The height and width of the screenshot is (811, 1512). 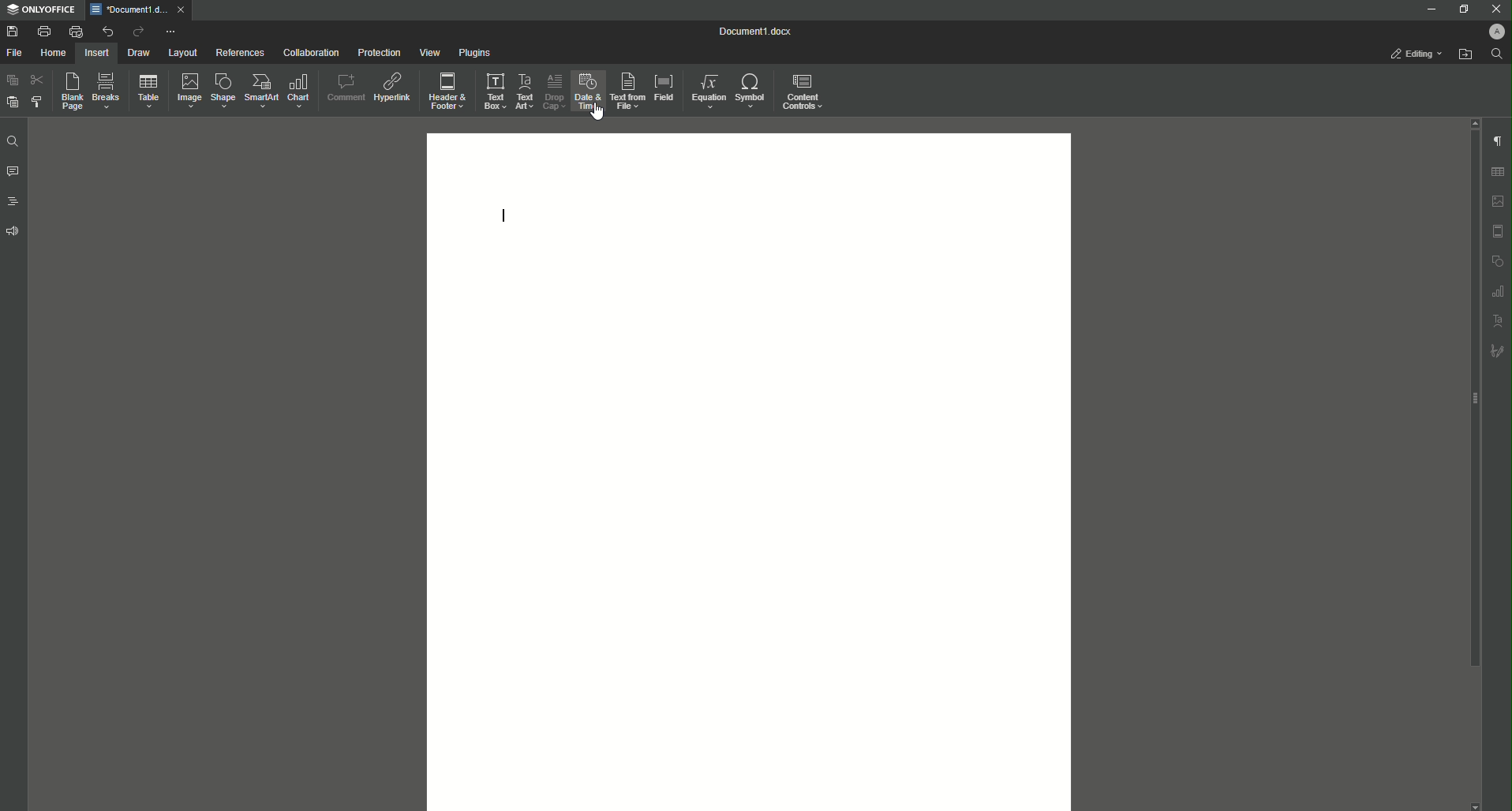 What do you see at coordinates (757, 32) in the screenshot?
I see `Document1.docx` at bounding box center [757, 32].